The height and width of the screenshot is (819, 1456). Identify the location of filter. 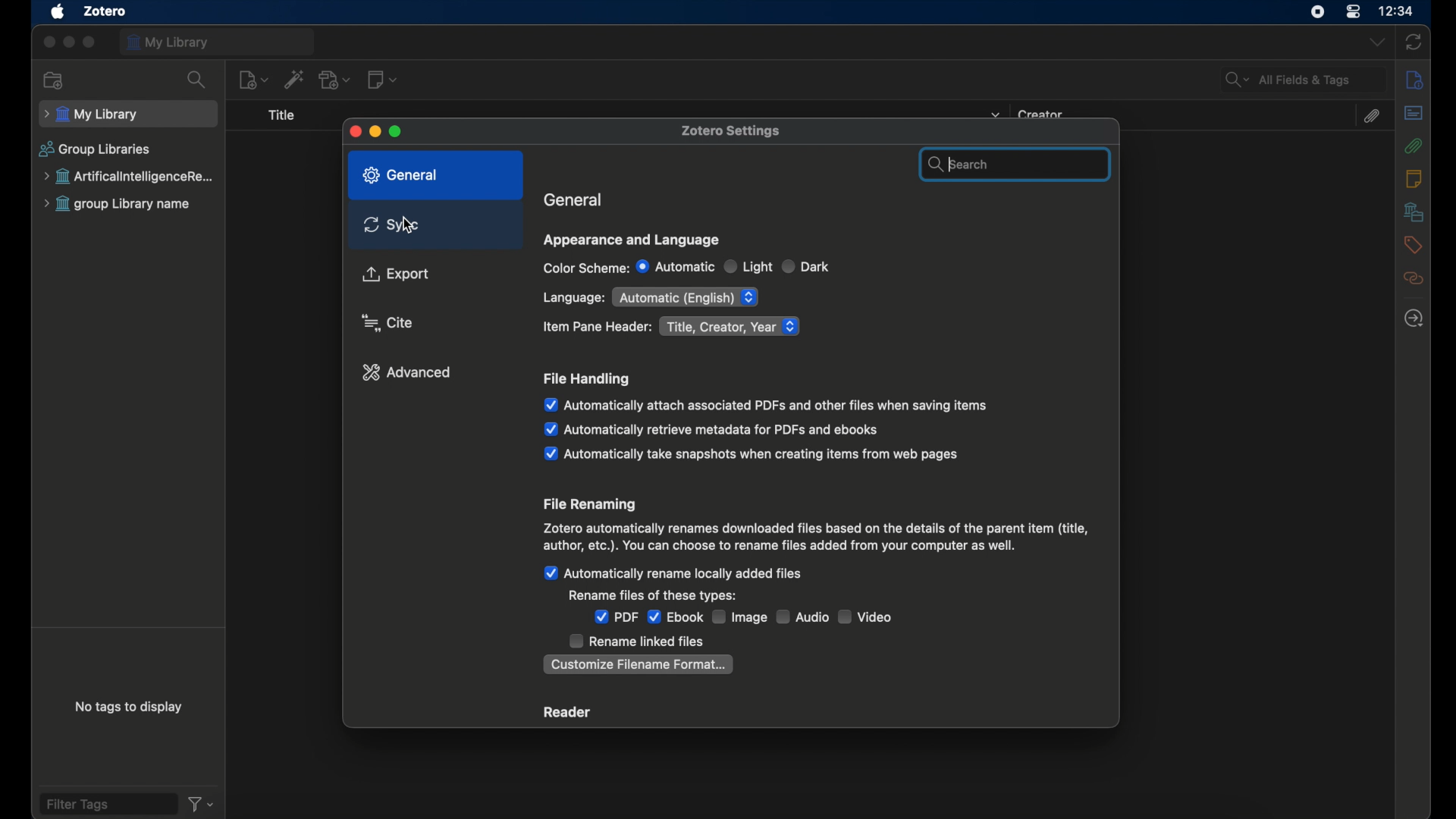
(200, 804).